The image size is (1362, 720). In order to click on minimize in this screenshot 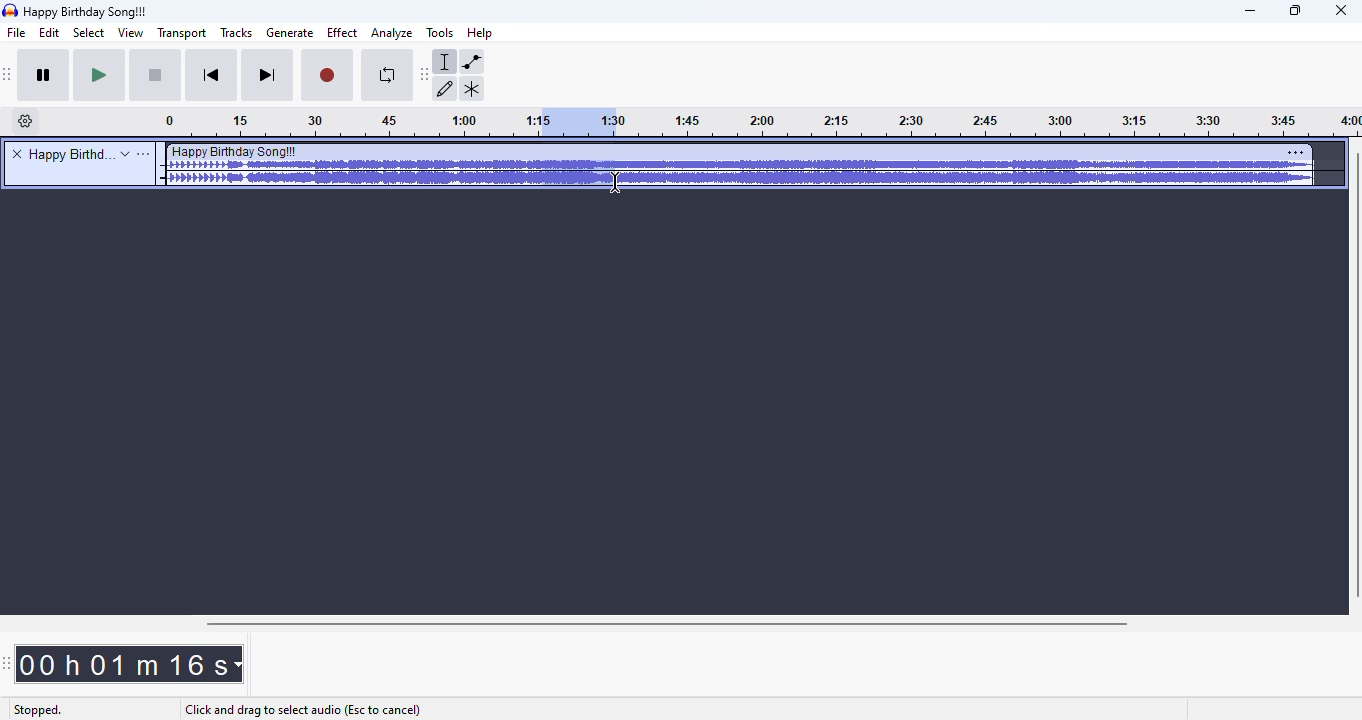, I will do `click(1251, 12)`.